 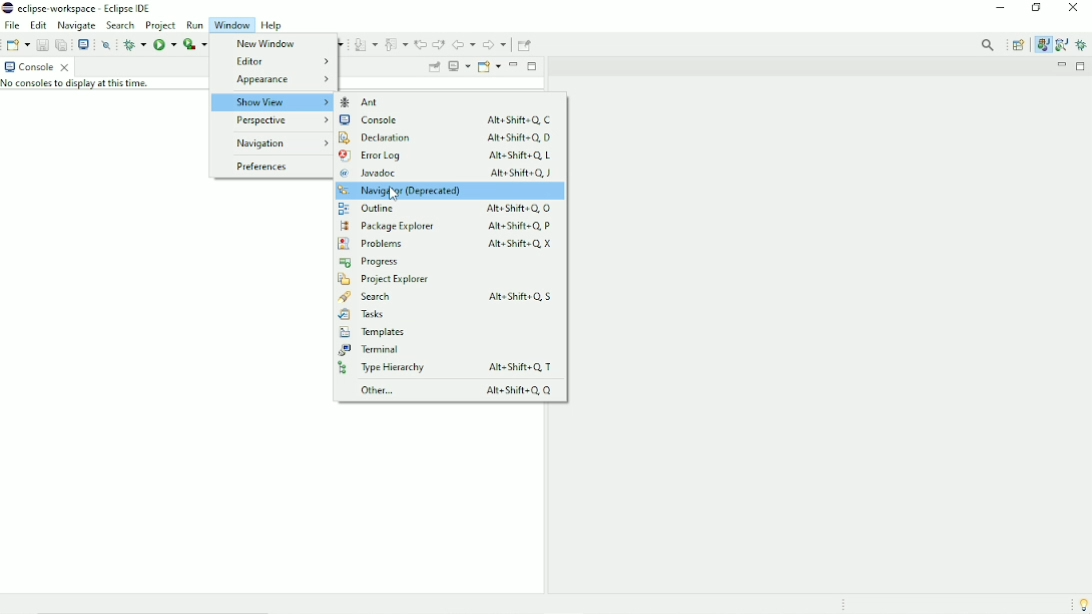 I want to click on Ant, so click(x=369, y=102).